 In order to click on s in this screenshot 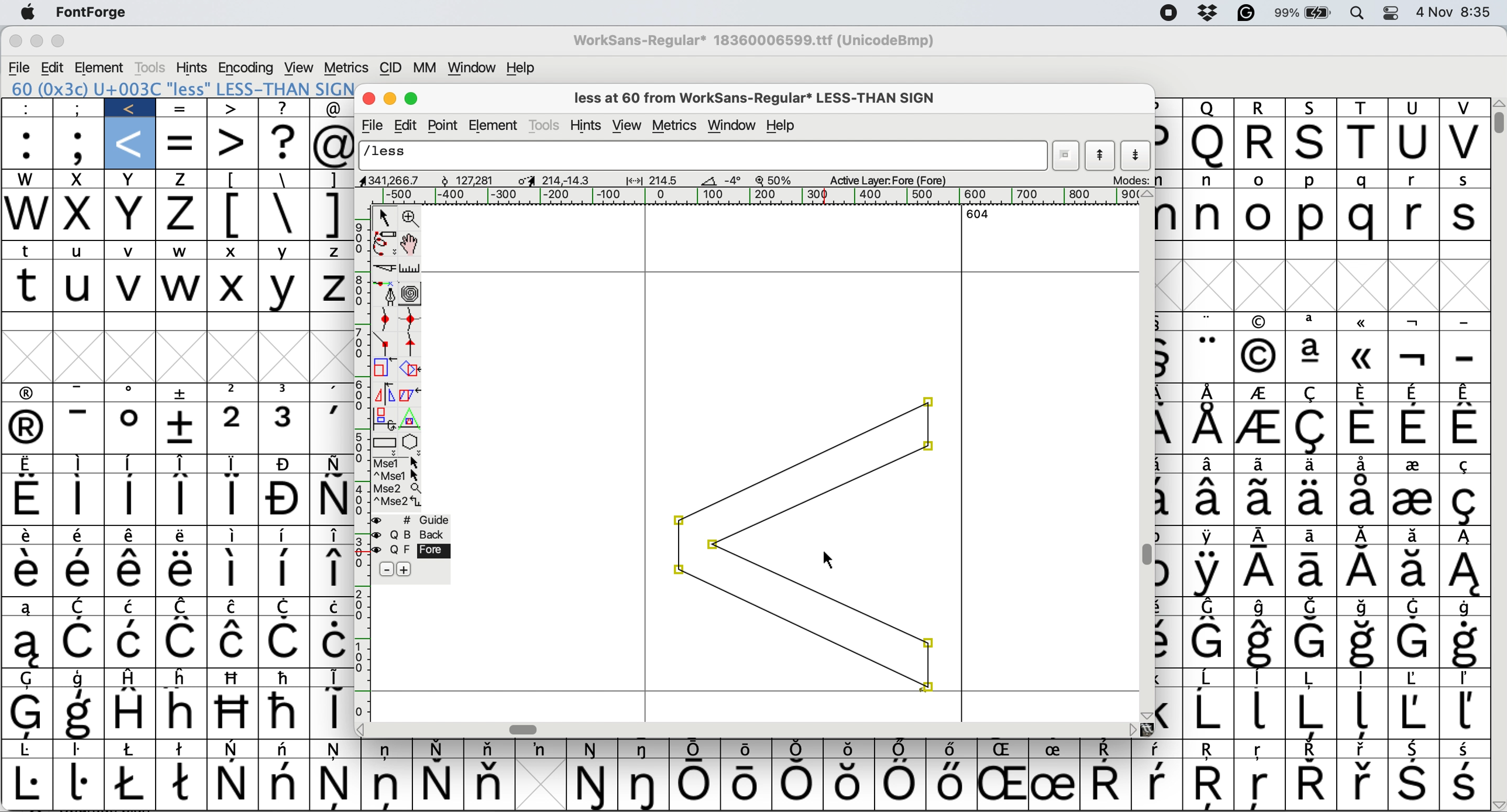, I will do `click(1312, 144)`.